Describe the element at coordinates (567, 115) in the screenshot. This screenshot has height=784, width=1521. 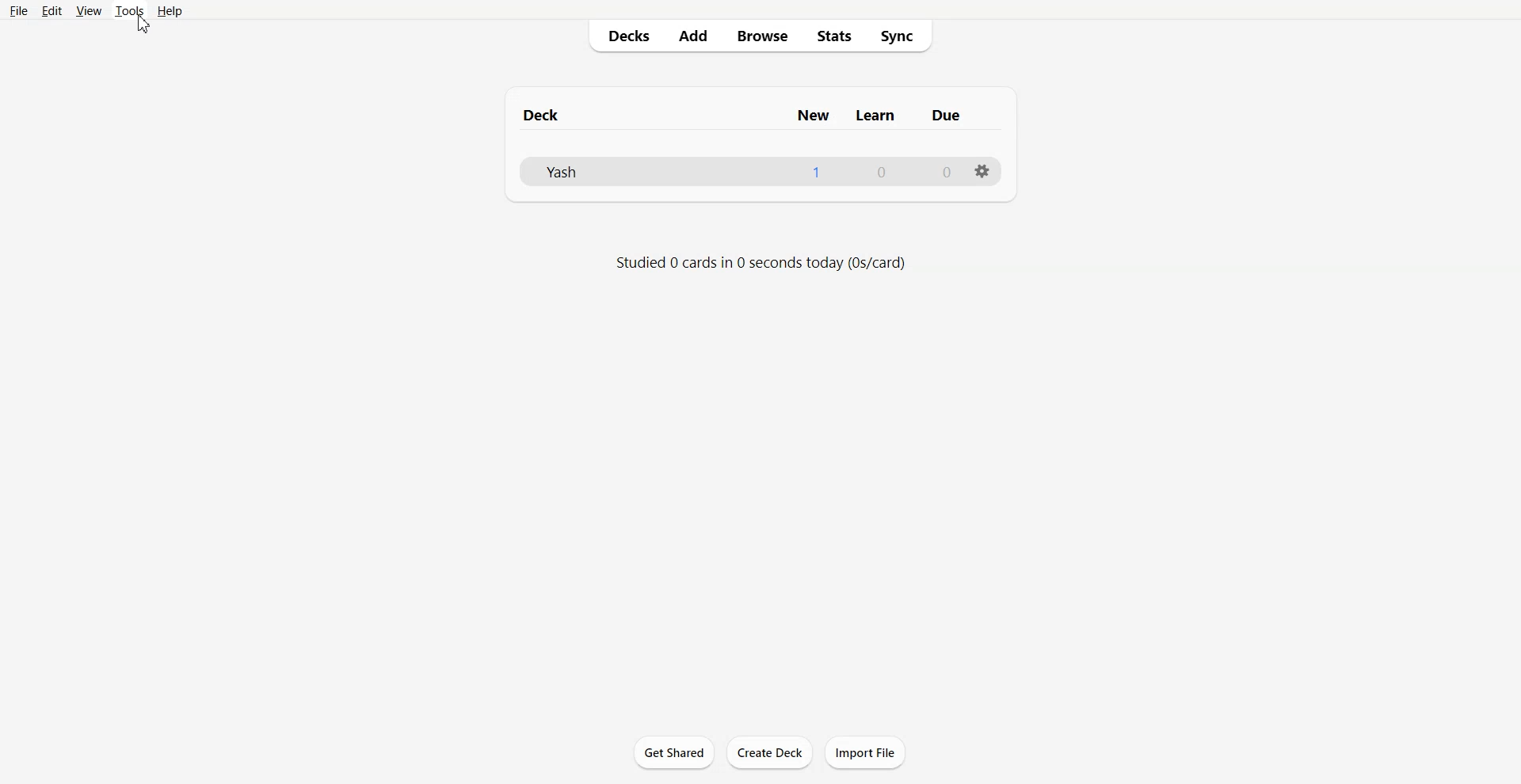
I see `deck` at that location.